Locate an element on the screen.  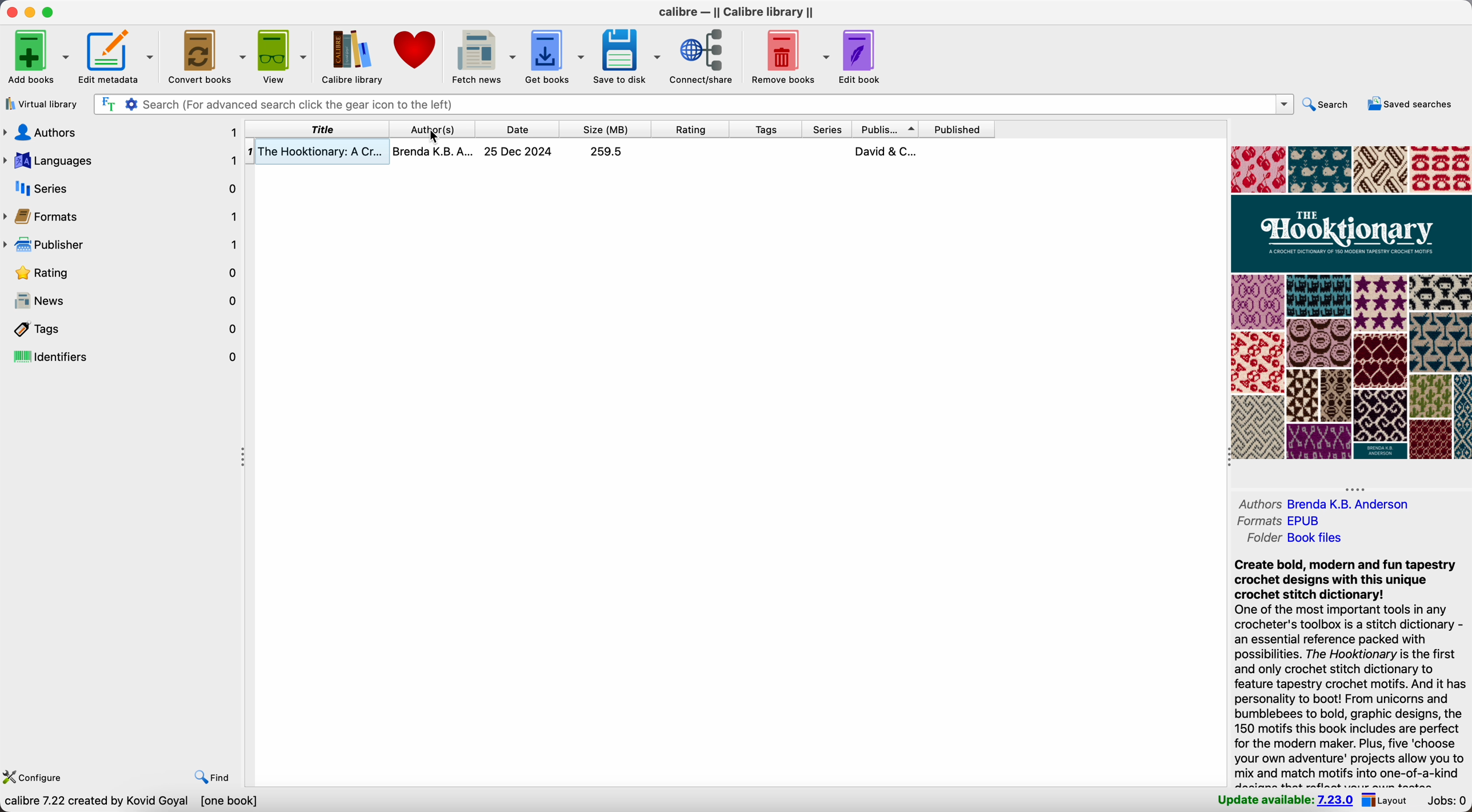
tags is located at coordinates (766, 130).